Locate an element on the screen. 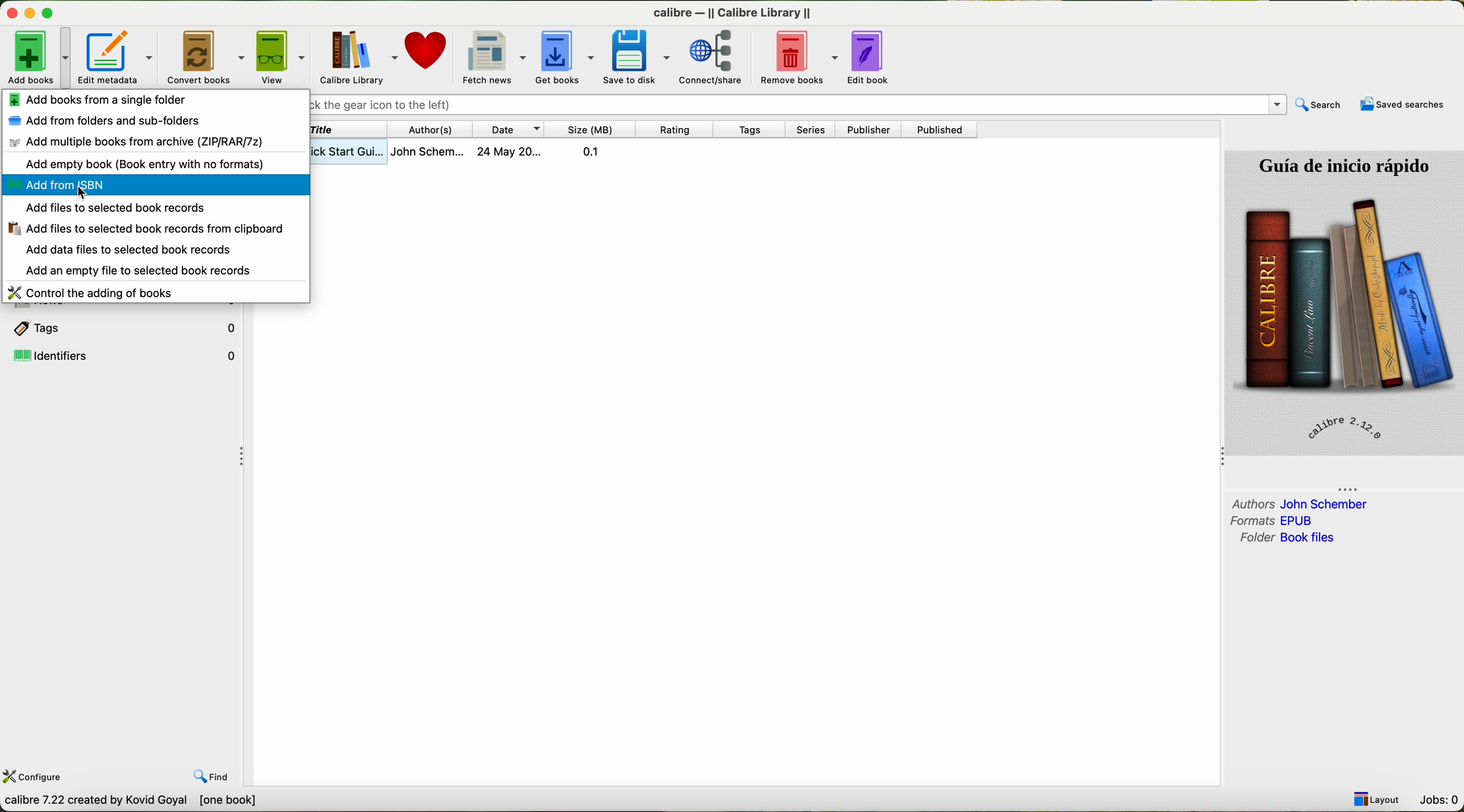 The image size is (1464, 812). publisher is located at coordinates (868, 129).